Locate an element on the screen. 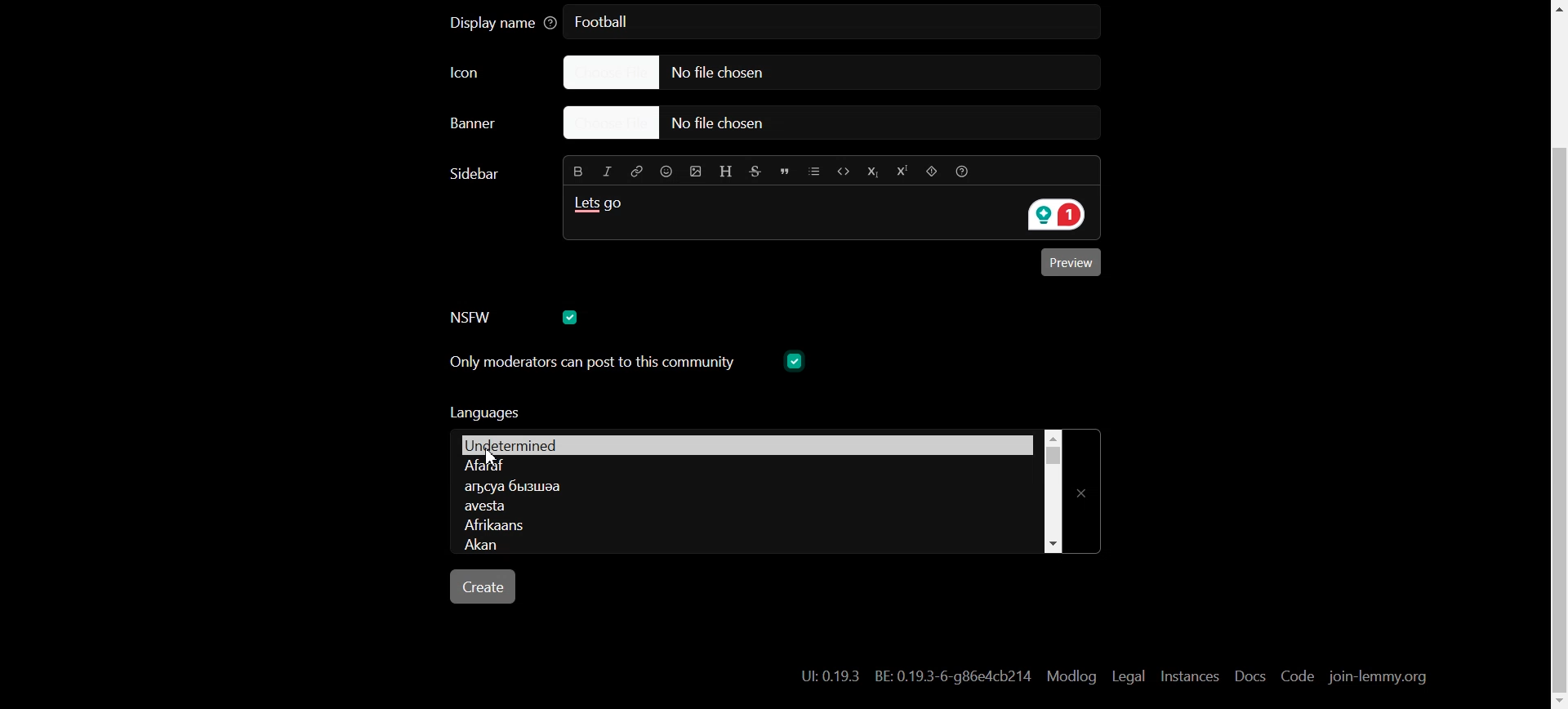 The width and height of the screenshot is (1568, 709). Modlog is located at coordinates (1071, 676).